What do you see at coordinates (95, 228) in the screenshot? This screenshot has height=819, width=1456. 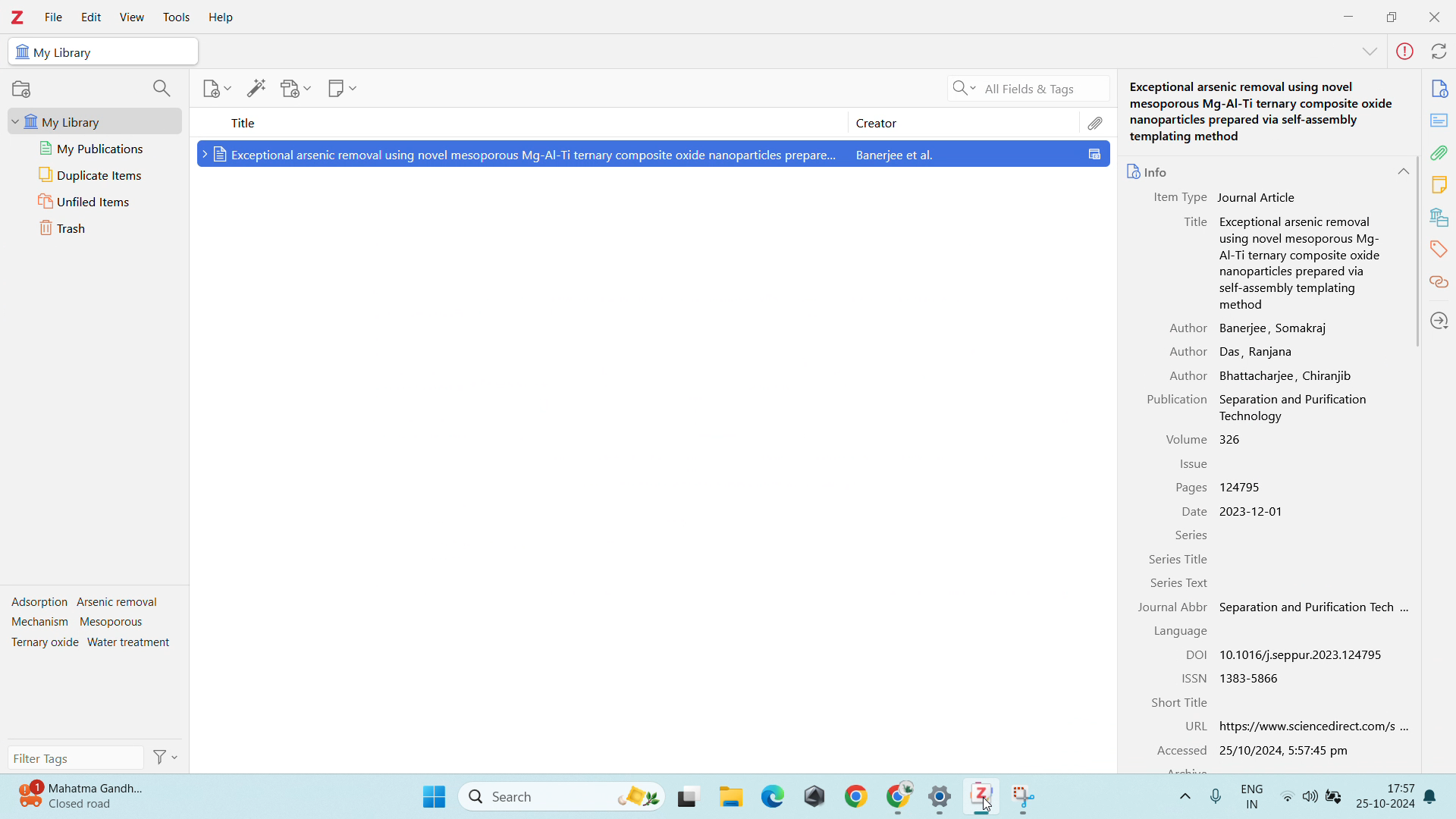 I see `trash` at bounding box center [95, 228].